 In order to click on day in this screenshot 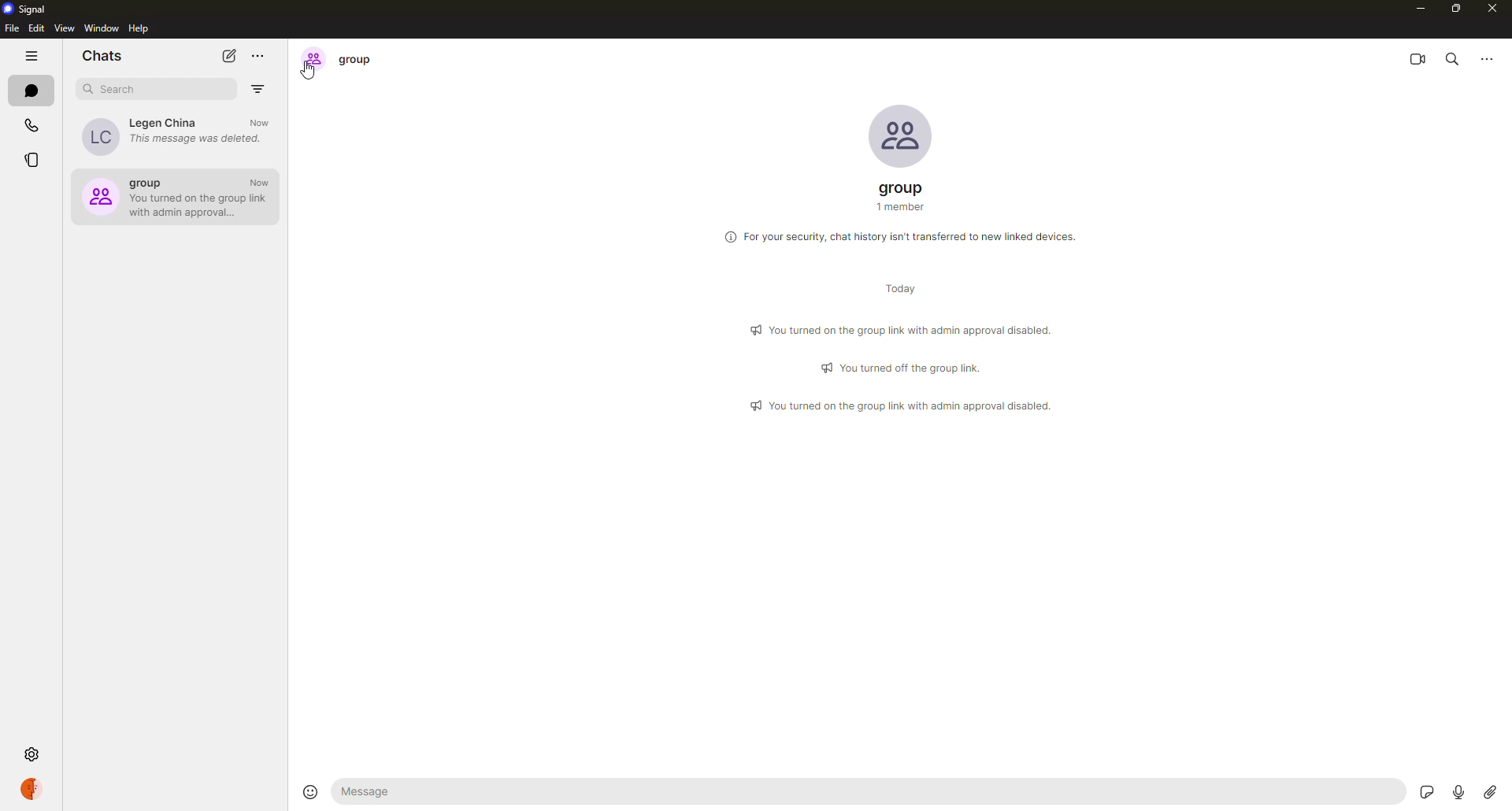, I will do `click(899, 288)`.